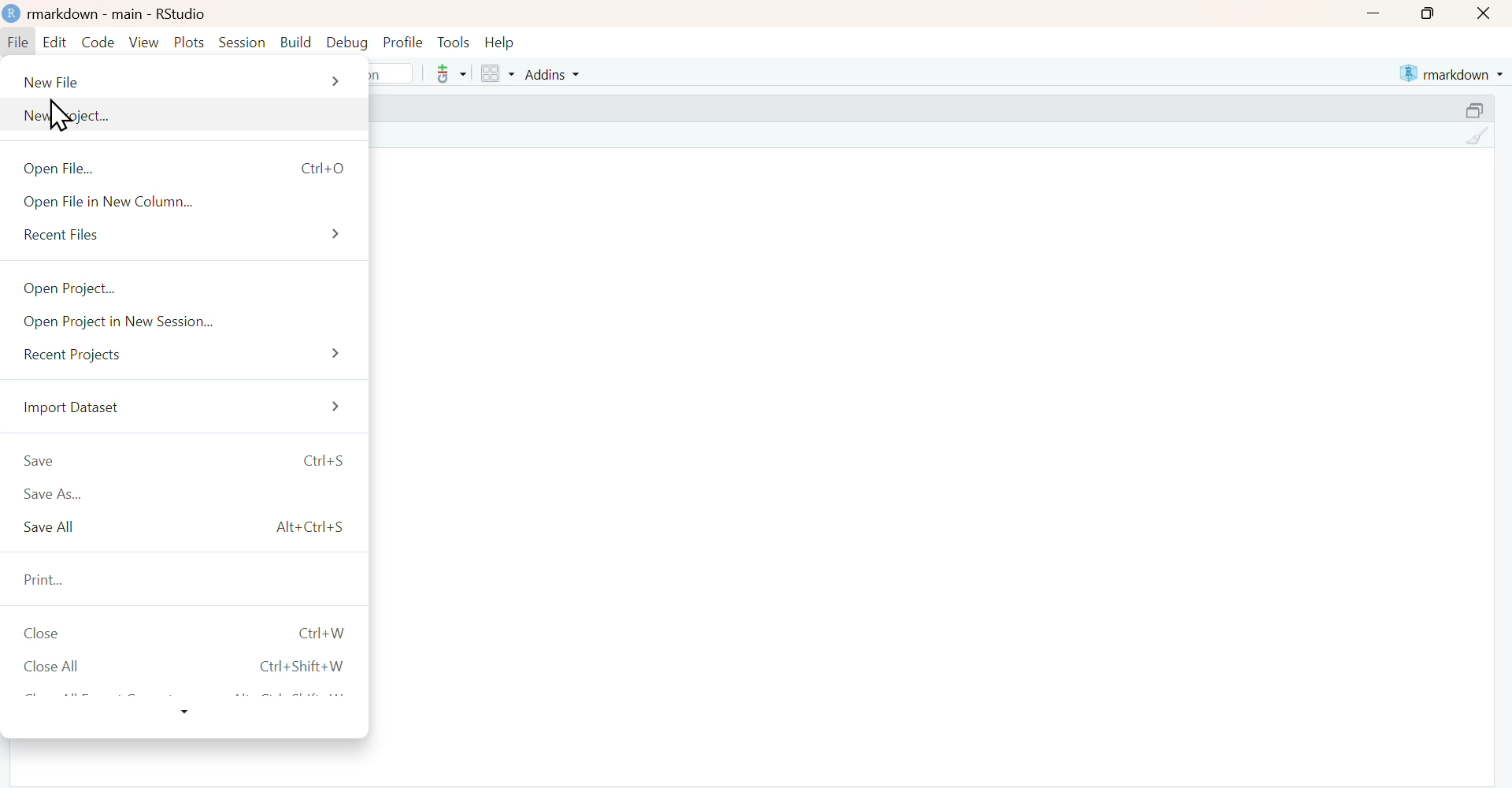 The height and width of the screenshot is (788, 1512). Describe the element at coordinates (402, 43) in the screenshot. I see `Profile` at that location.